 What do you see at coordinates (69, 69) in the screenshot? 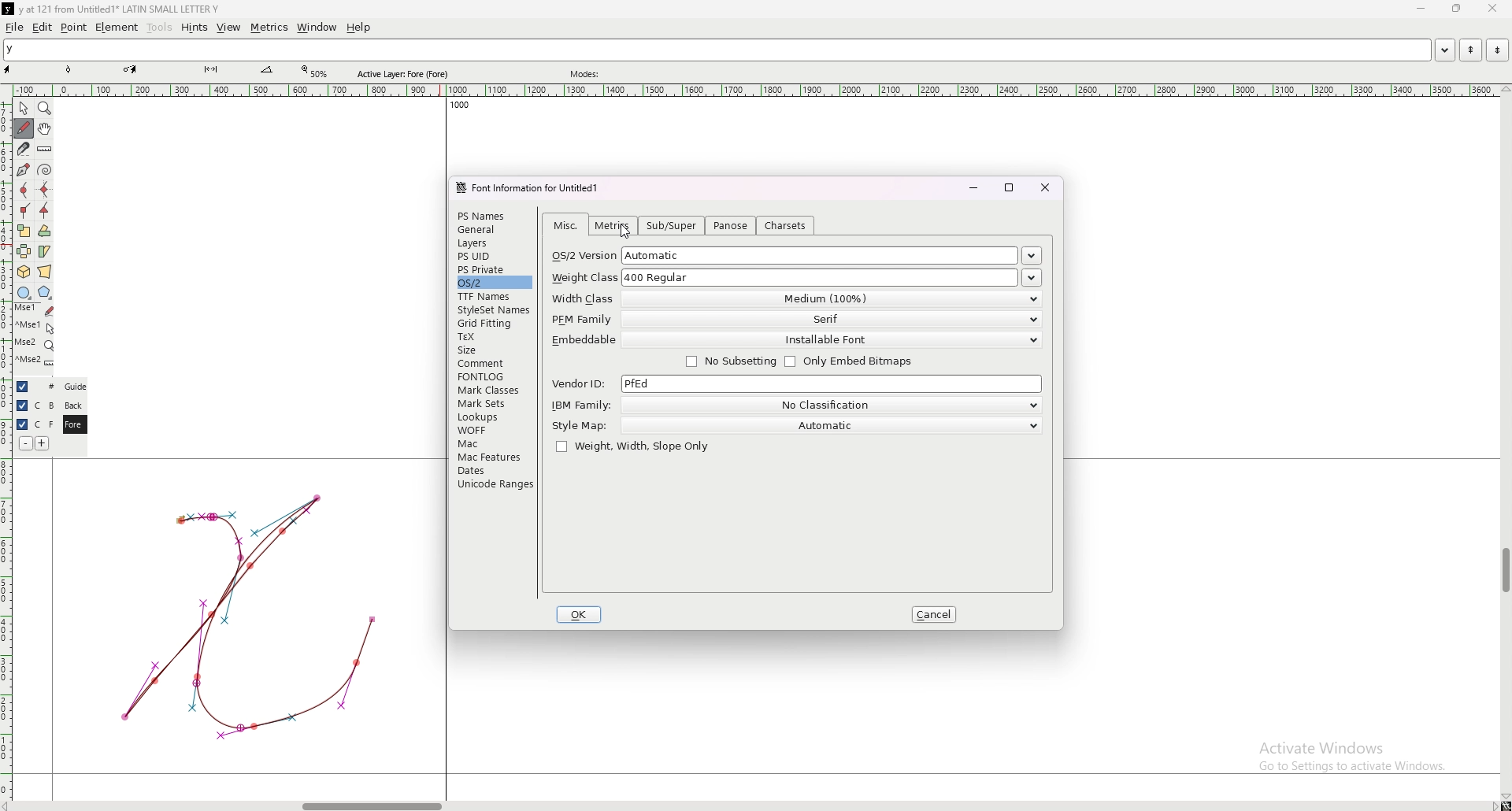
I see `point tool` at bounding box center [69, 69].